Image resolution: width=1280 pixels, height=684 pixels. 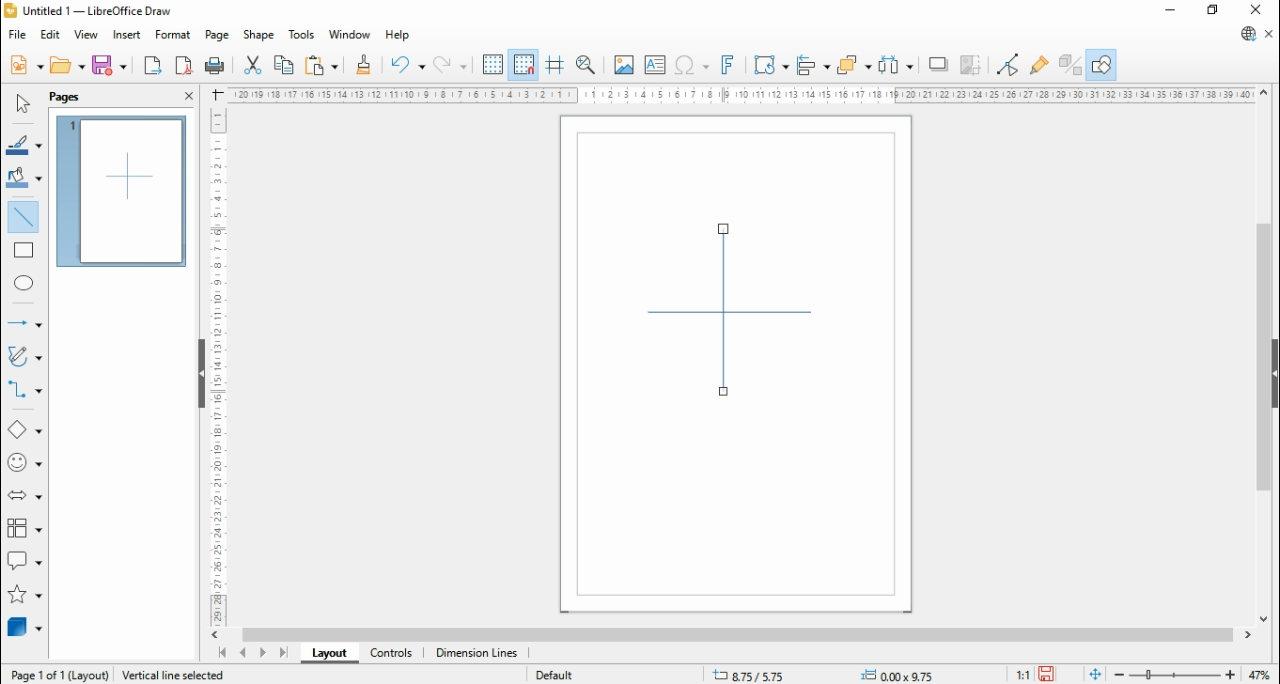 What do you see at coordinates (24, 529) in the screenshot?
I see `flowchart` at bounding box center [24, 529].